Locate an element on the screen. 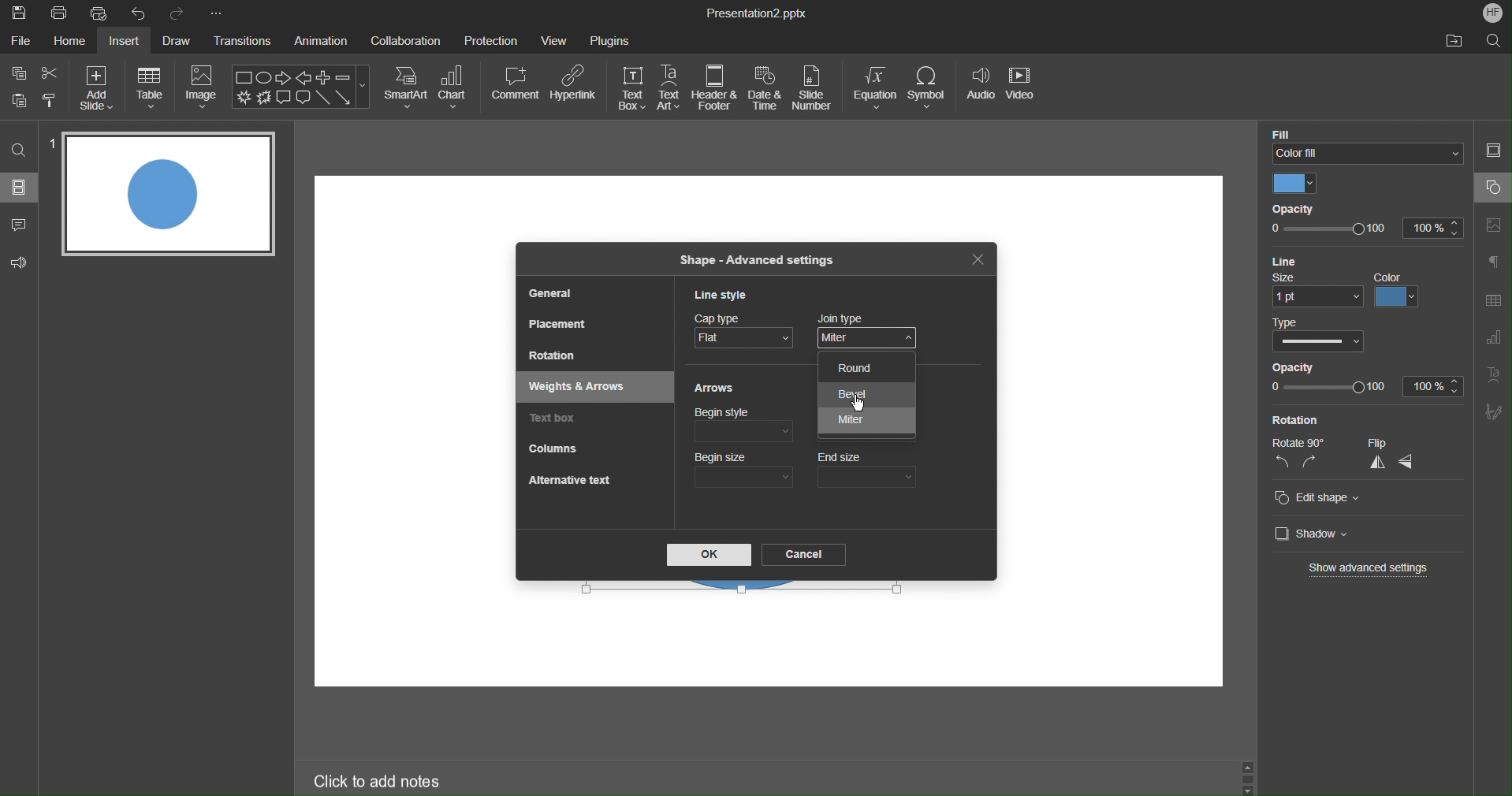  Header & Footer is located at coordinates (715, 88).